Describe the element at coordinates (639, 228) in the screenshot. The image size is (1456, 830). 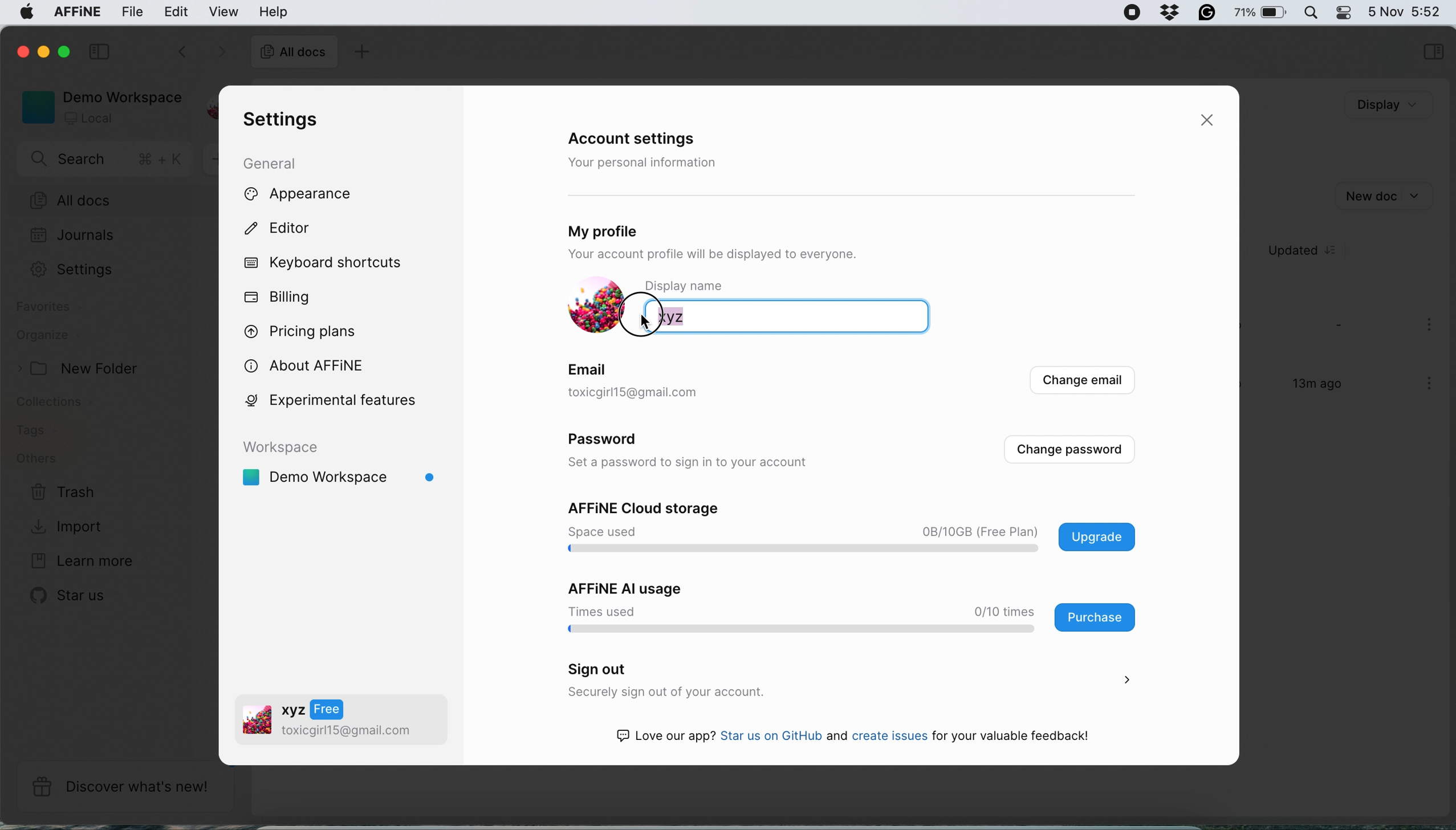
I see `my profile` at that location.